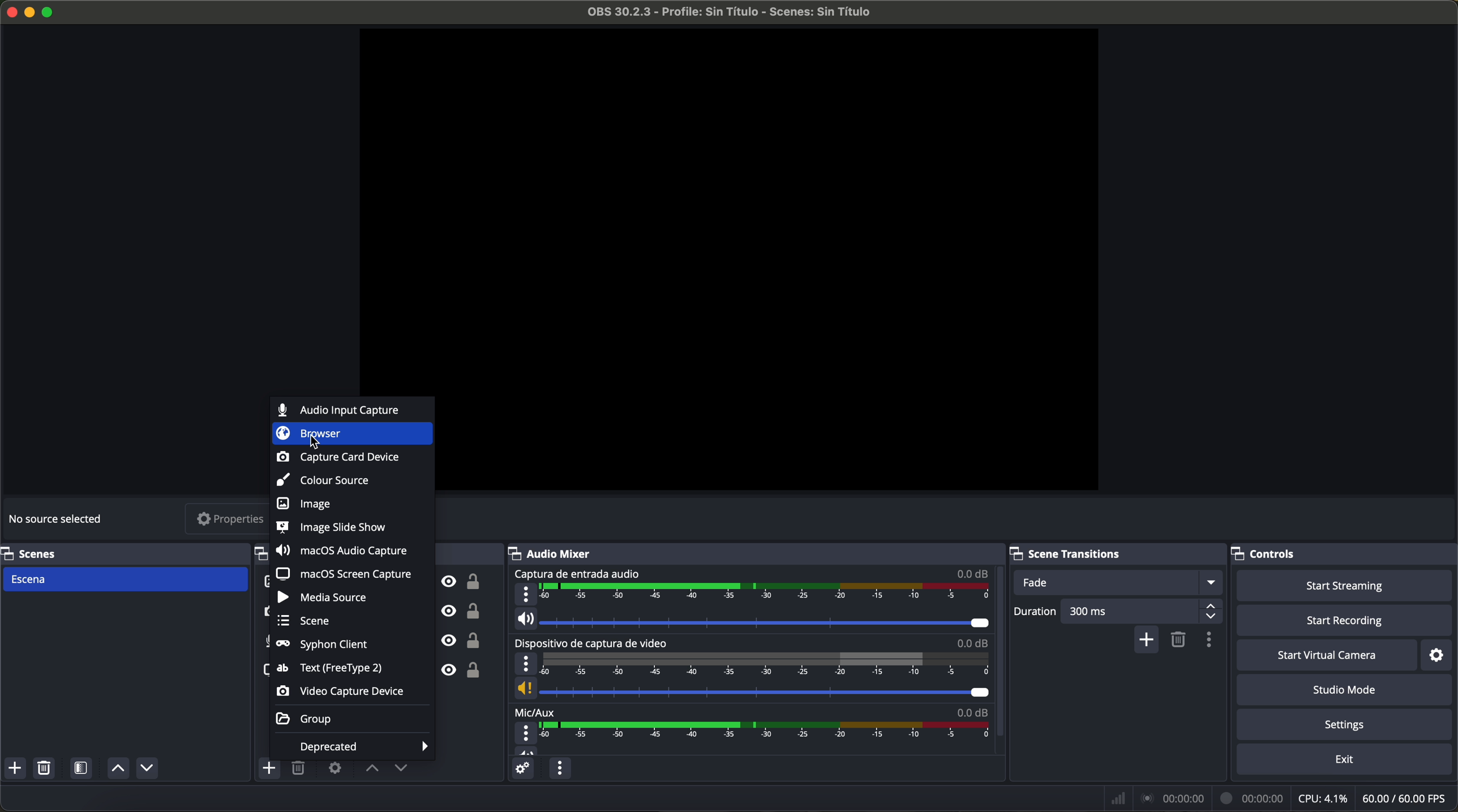 The image size is (1458, 812). Describe the element at coordinates (369, 768) in the screenshot. I see `move sources up` at that location.